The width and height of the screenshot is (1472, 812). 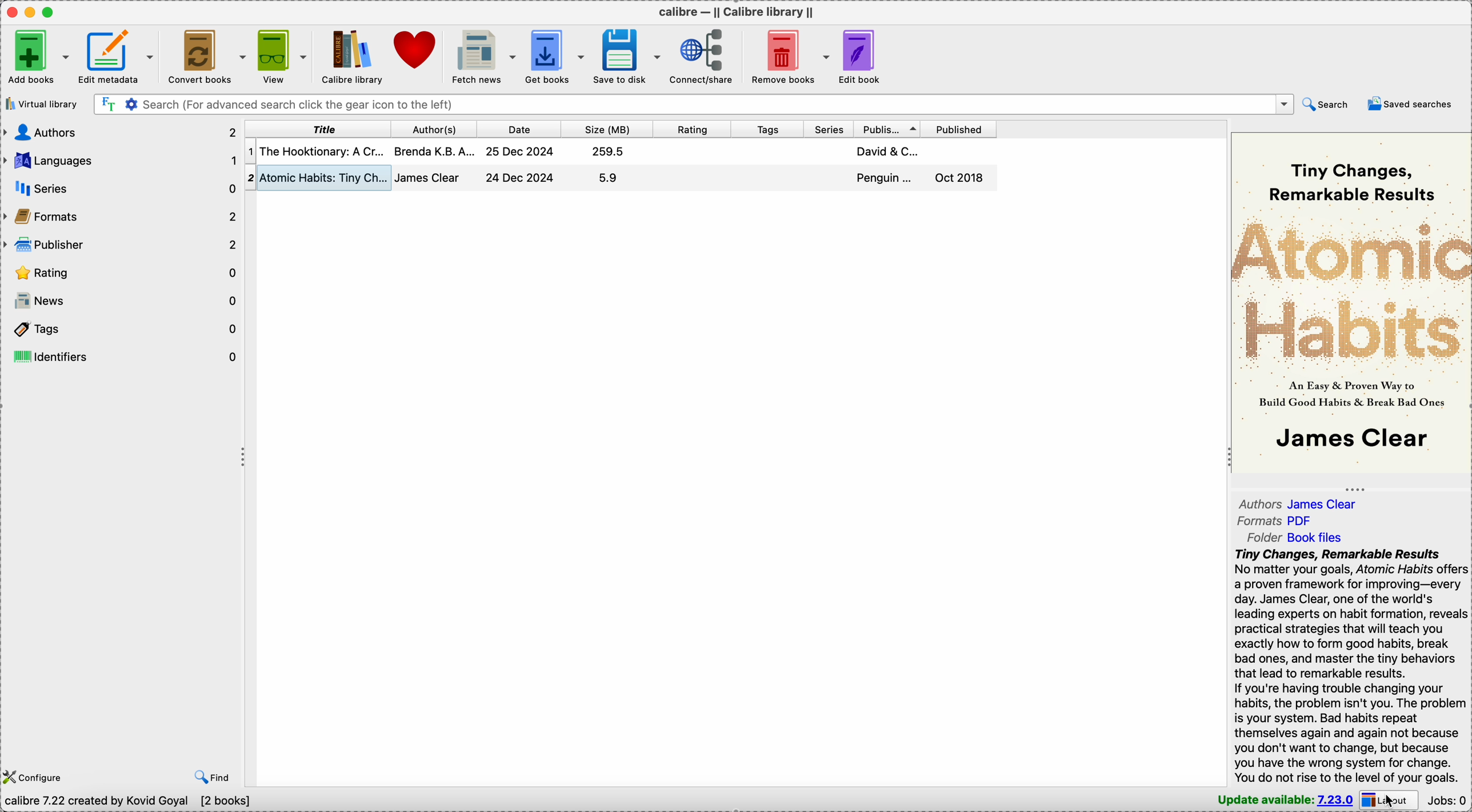 I want to click on 259.5, so click(x=609, y=151).